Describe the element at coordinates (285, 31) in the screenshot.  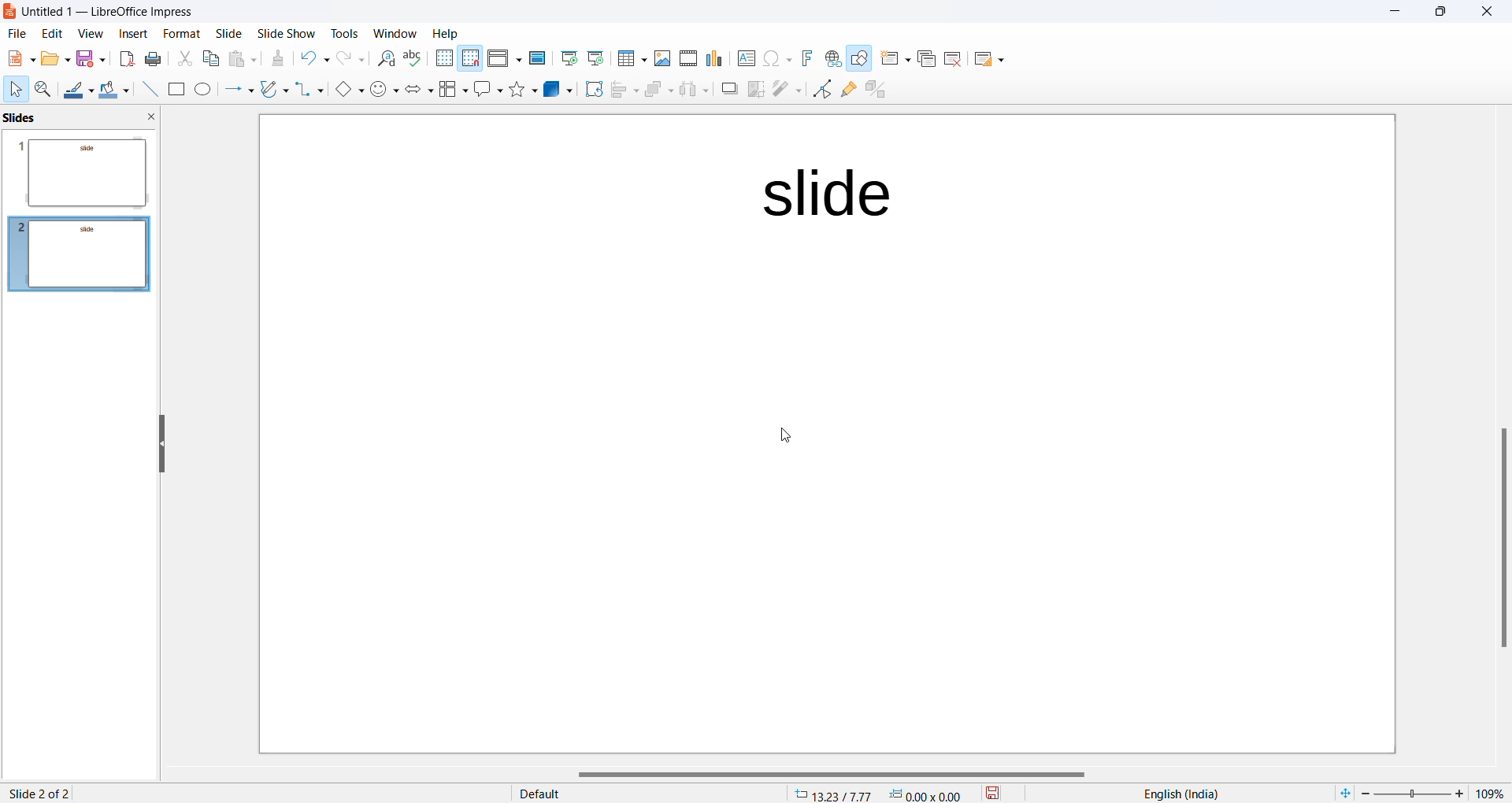
I see `Slide show` at that location.